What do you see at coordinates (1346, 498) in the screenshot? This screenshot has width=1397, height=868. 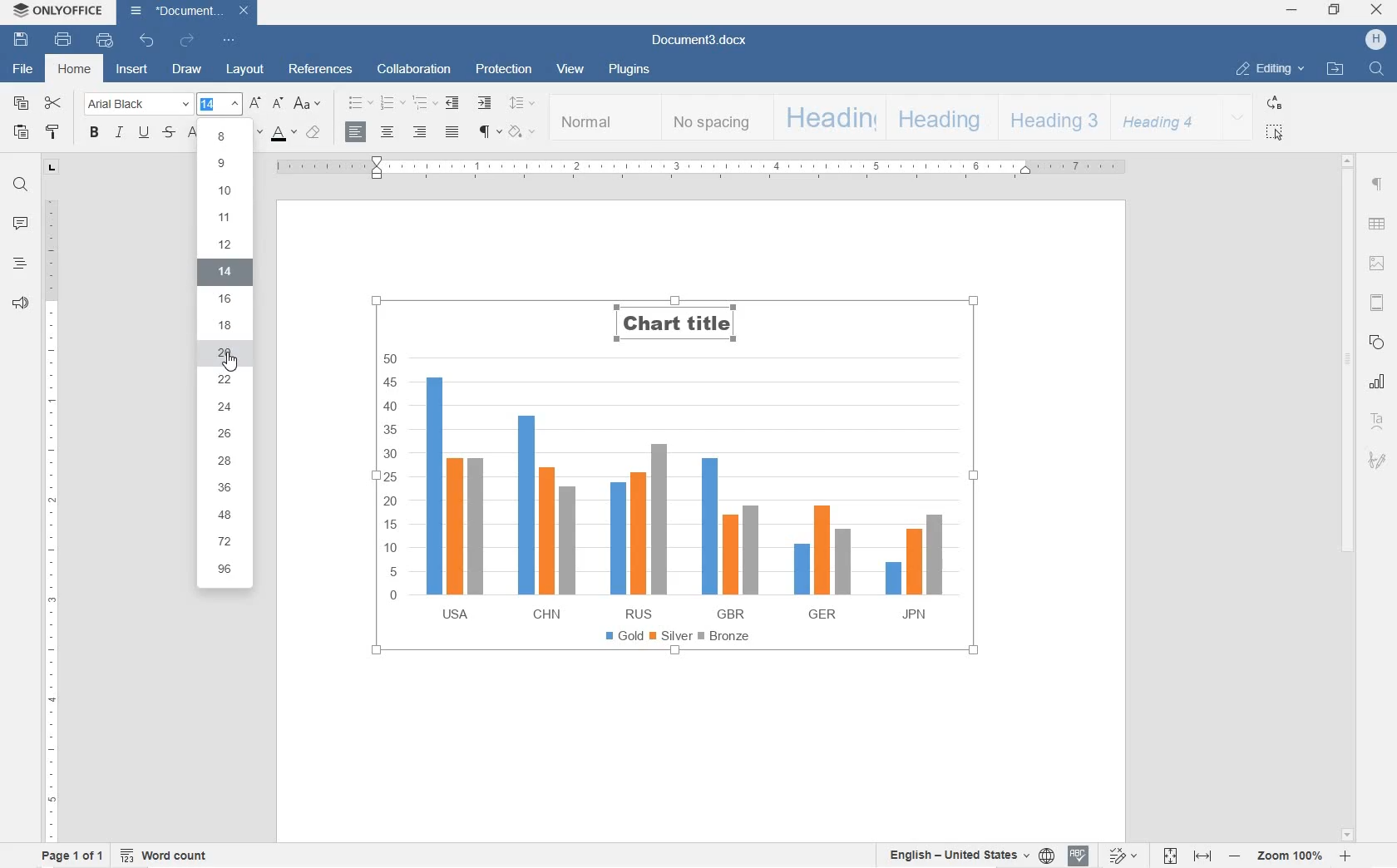 I see `SCROLLBAR` at bounding box center [1346, 498].